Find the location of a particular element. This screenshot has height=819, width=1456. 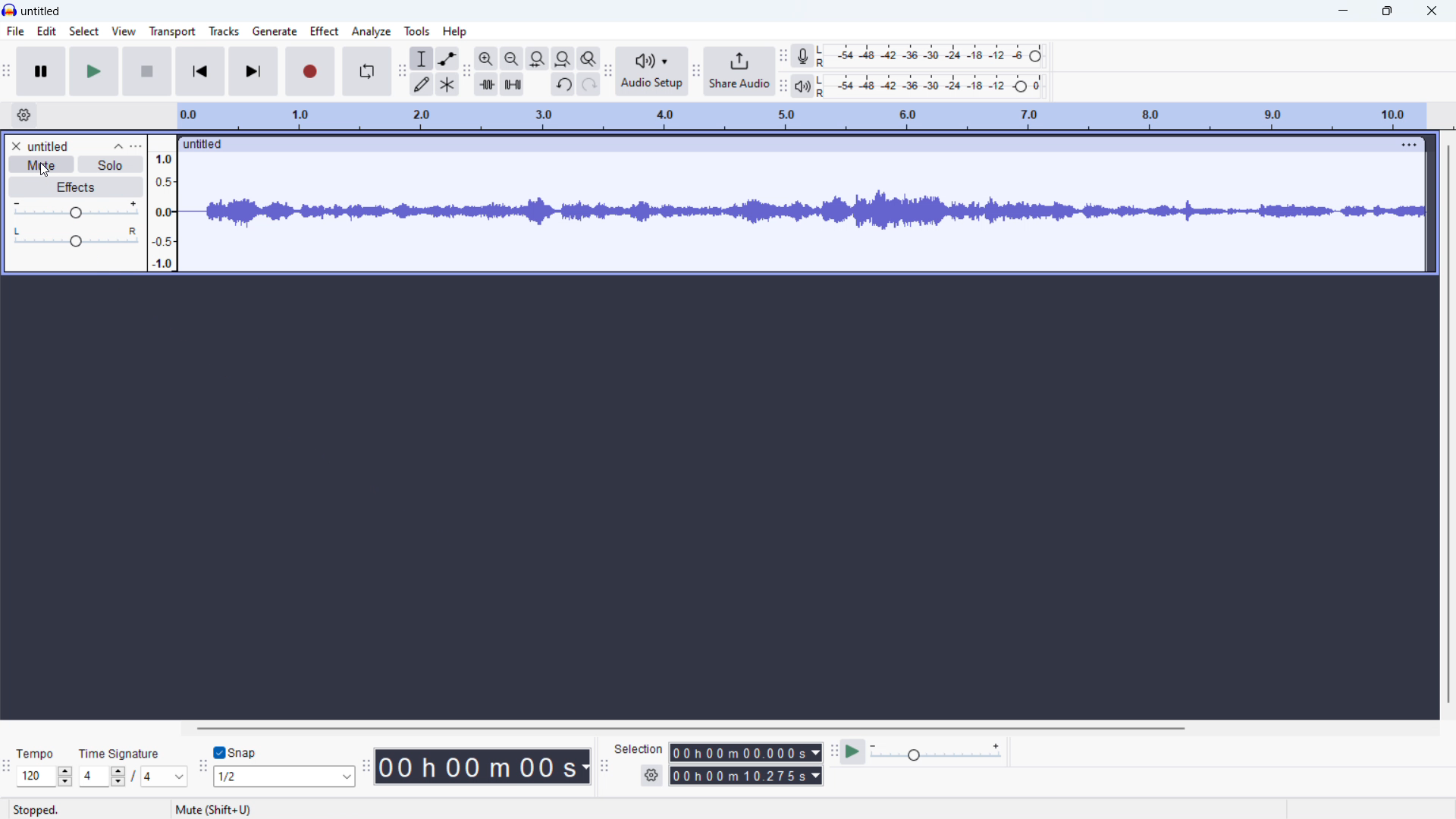

time signature is located at coordinates (118, 754).